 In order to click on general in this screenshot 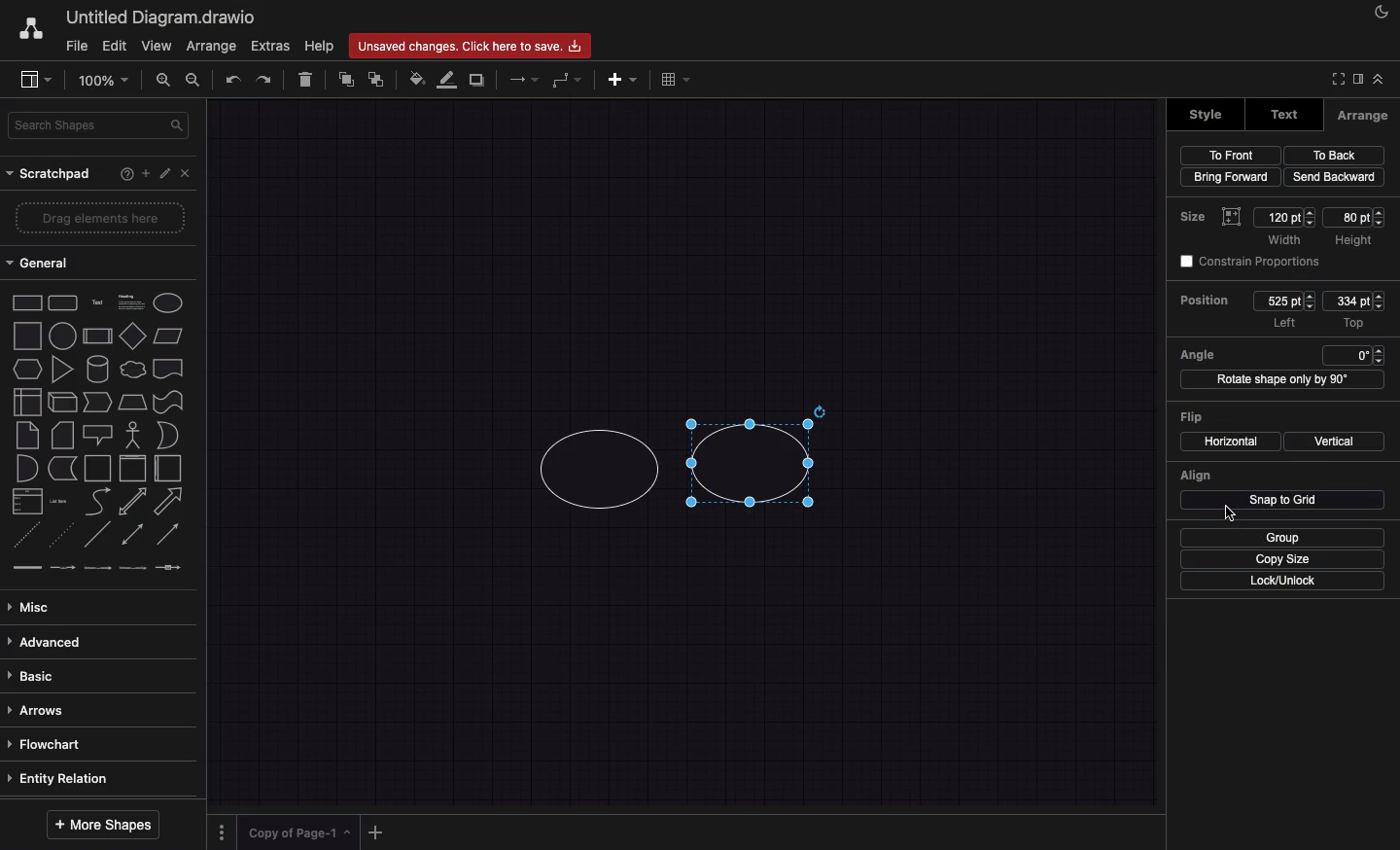, I will do `click(40, 262)`.